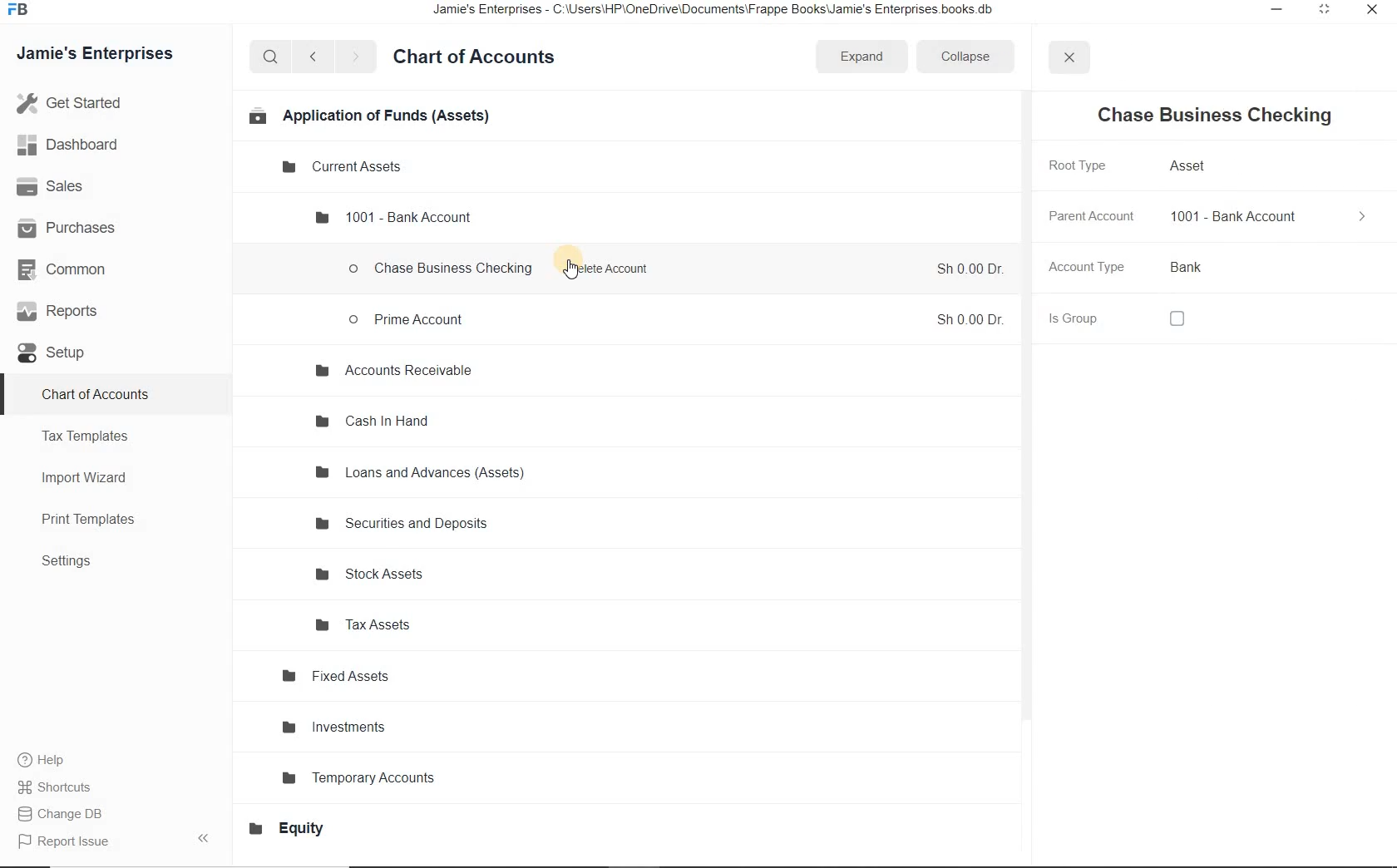 This screenshot has height=868, width=1397. I want to click on close, so click(1069, 59).